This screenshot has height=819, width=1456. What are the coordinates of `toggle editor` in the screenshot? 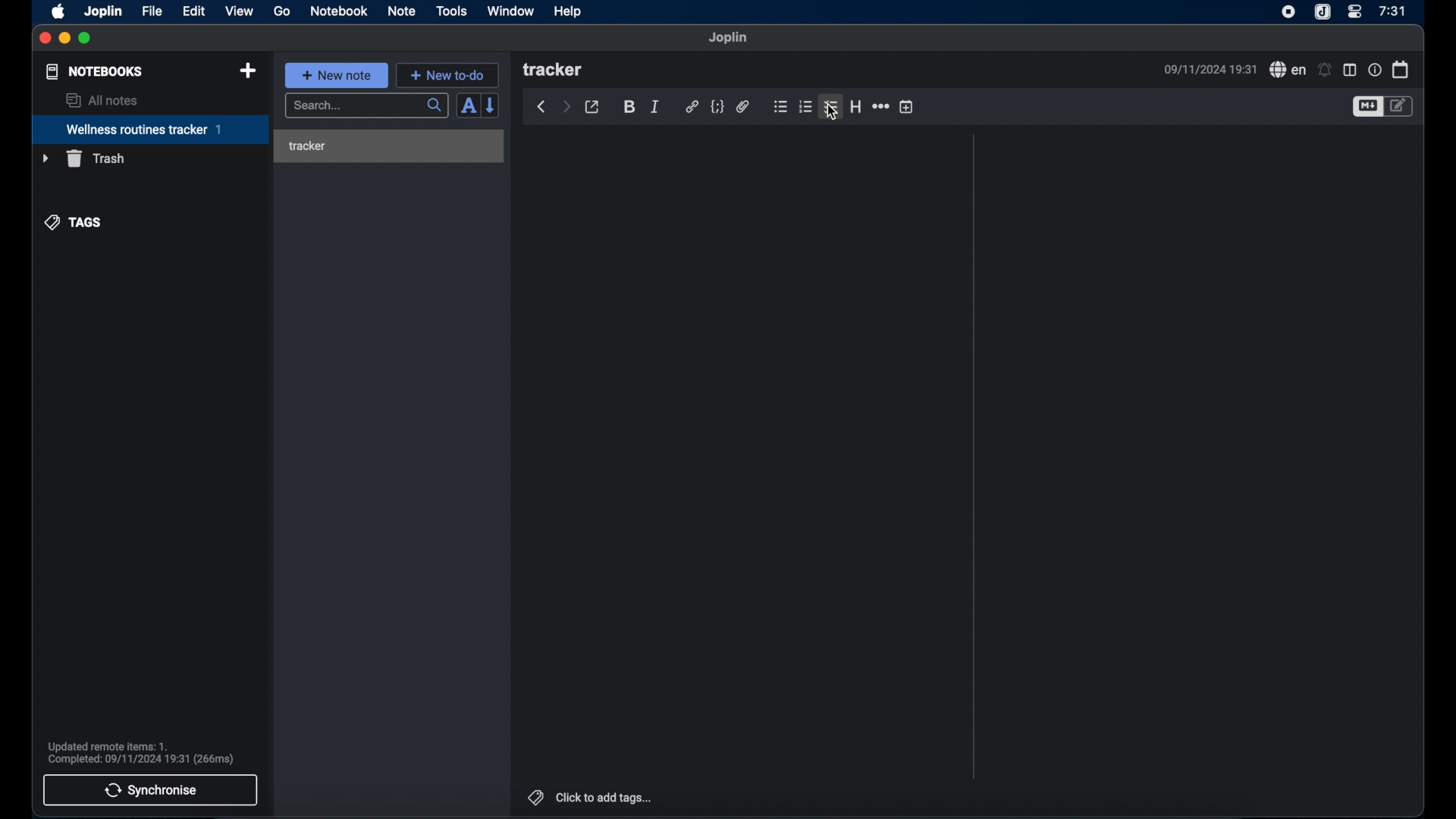 It's located at (1367, 106).